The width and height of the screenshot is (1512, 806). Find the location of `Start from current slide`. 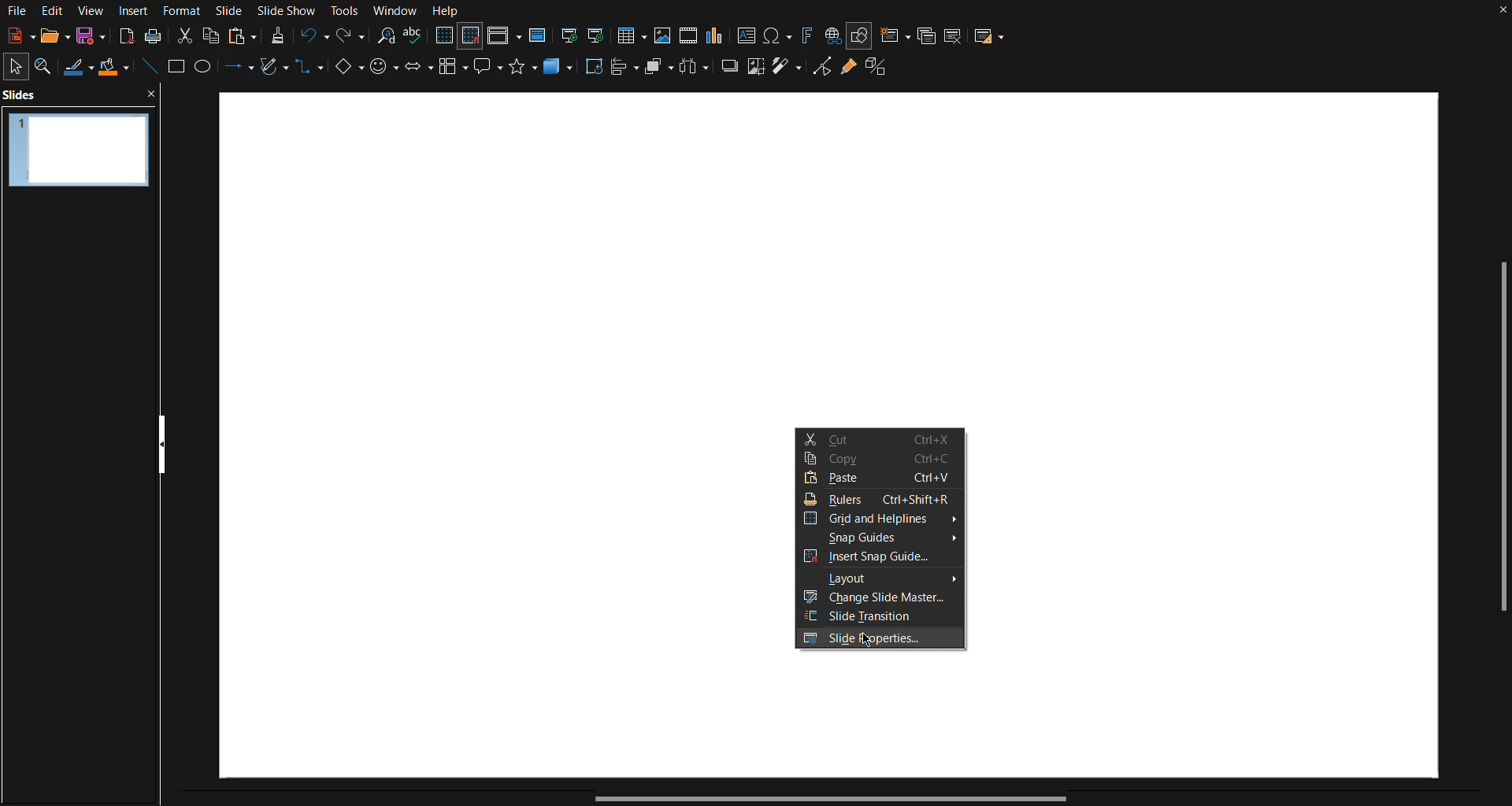

Start from current slide is located at coordinates (601, 34).